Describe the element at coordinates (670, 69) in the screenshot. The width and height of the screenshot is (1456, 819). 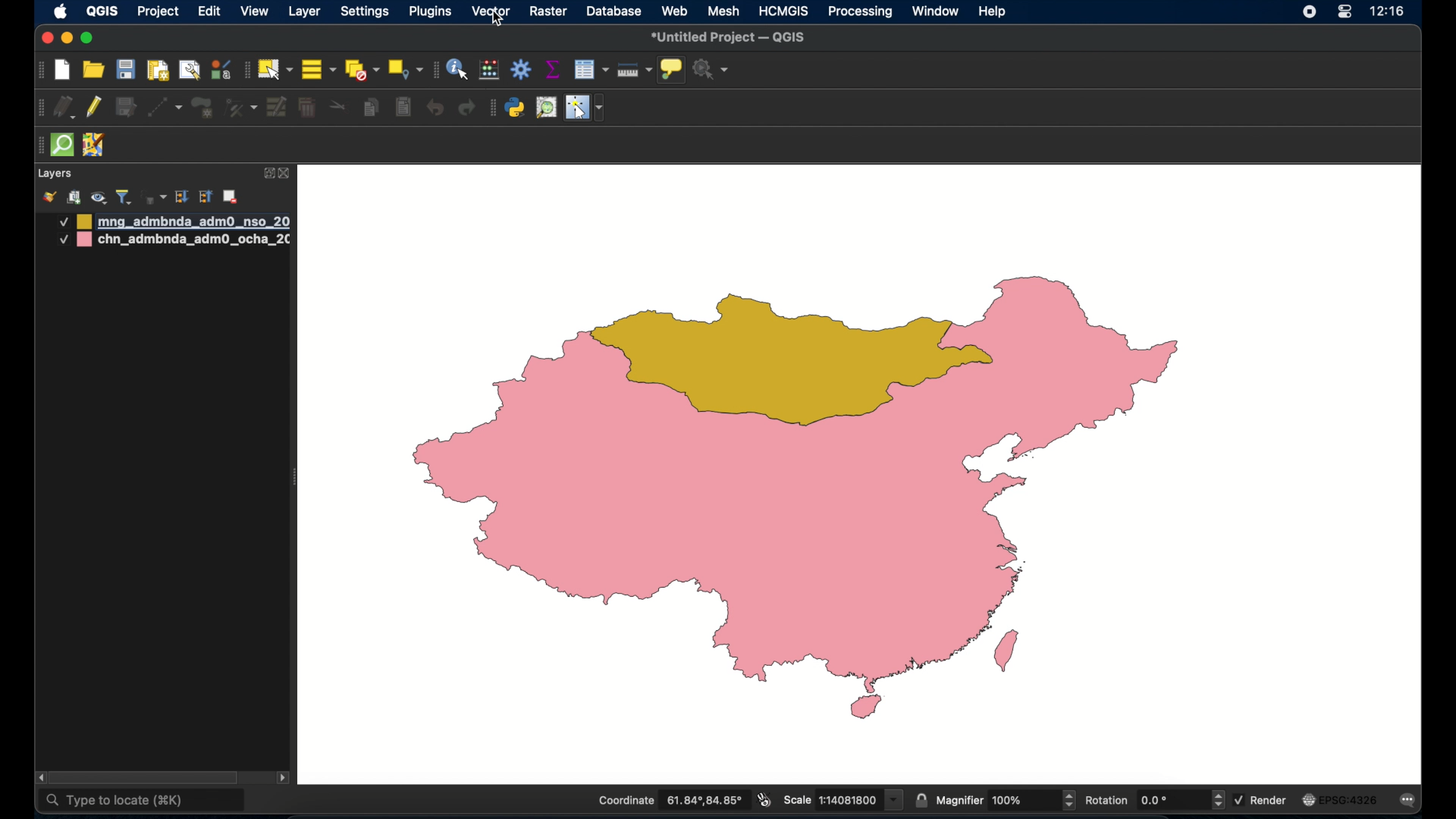
I see `show map tips` at that location.